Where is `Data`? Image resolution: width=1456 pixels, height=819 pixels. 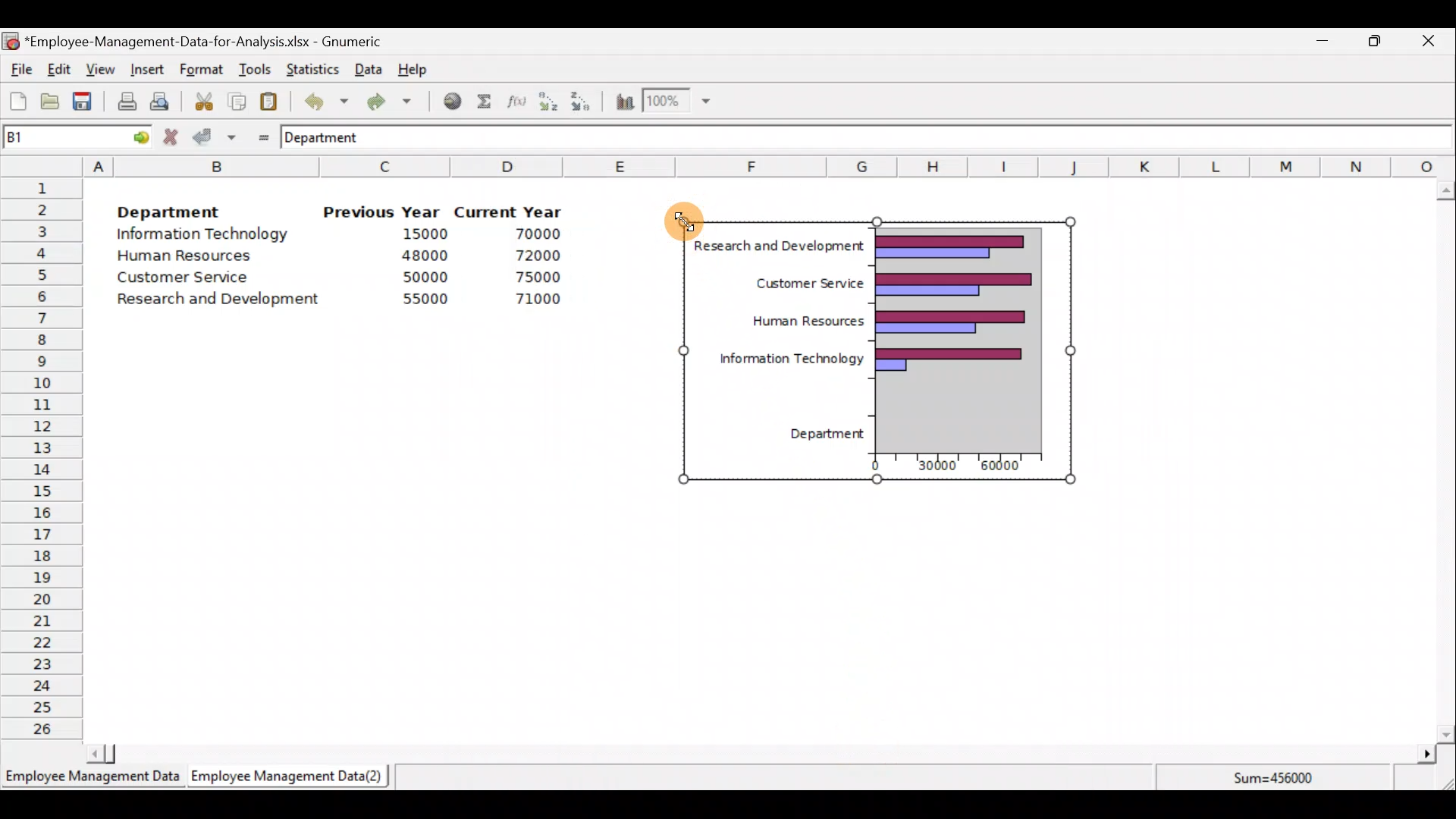 Data is located at coordinates (369, 69).